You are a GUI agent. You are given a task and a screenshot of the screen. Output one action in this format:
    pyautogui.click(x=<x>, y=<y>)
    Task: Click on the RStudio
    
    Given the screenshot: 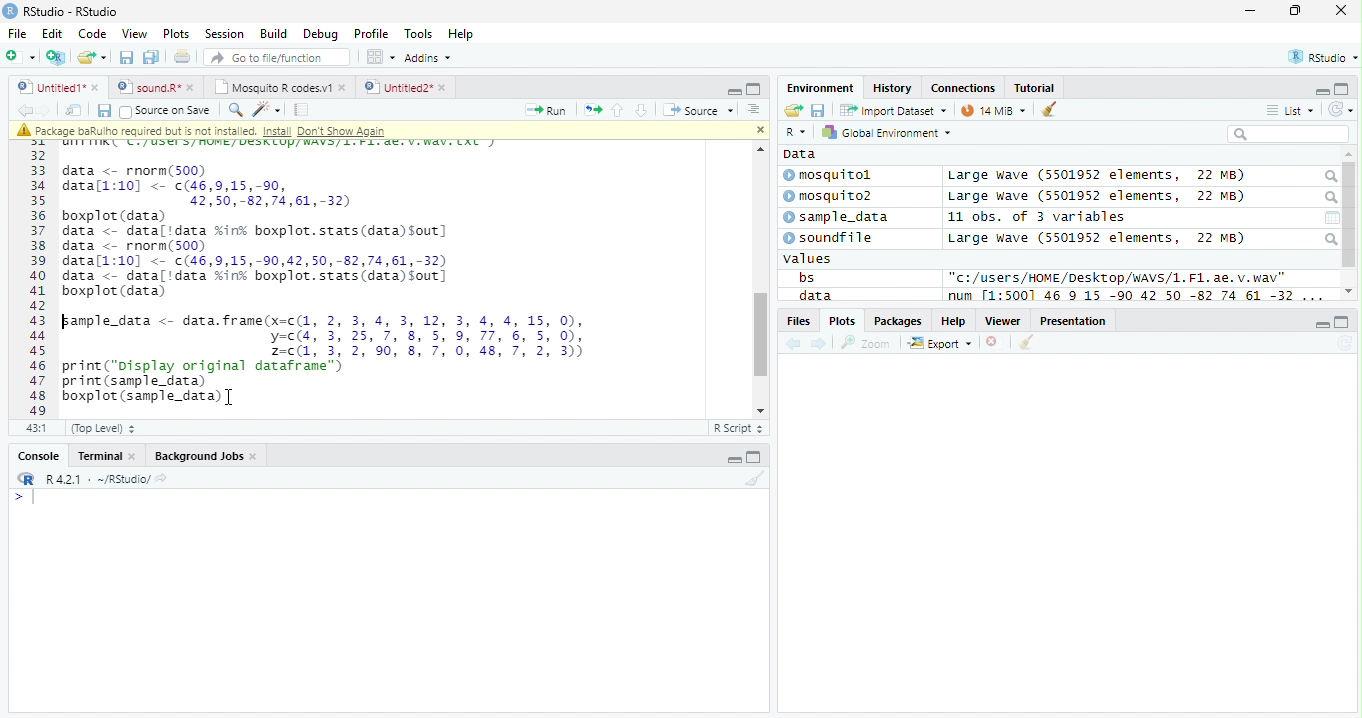 What is the action you would take?
    pyautogui.click(x=1321, y=56)
    